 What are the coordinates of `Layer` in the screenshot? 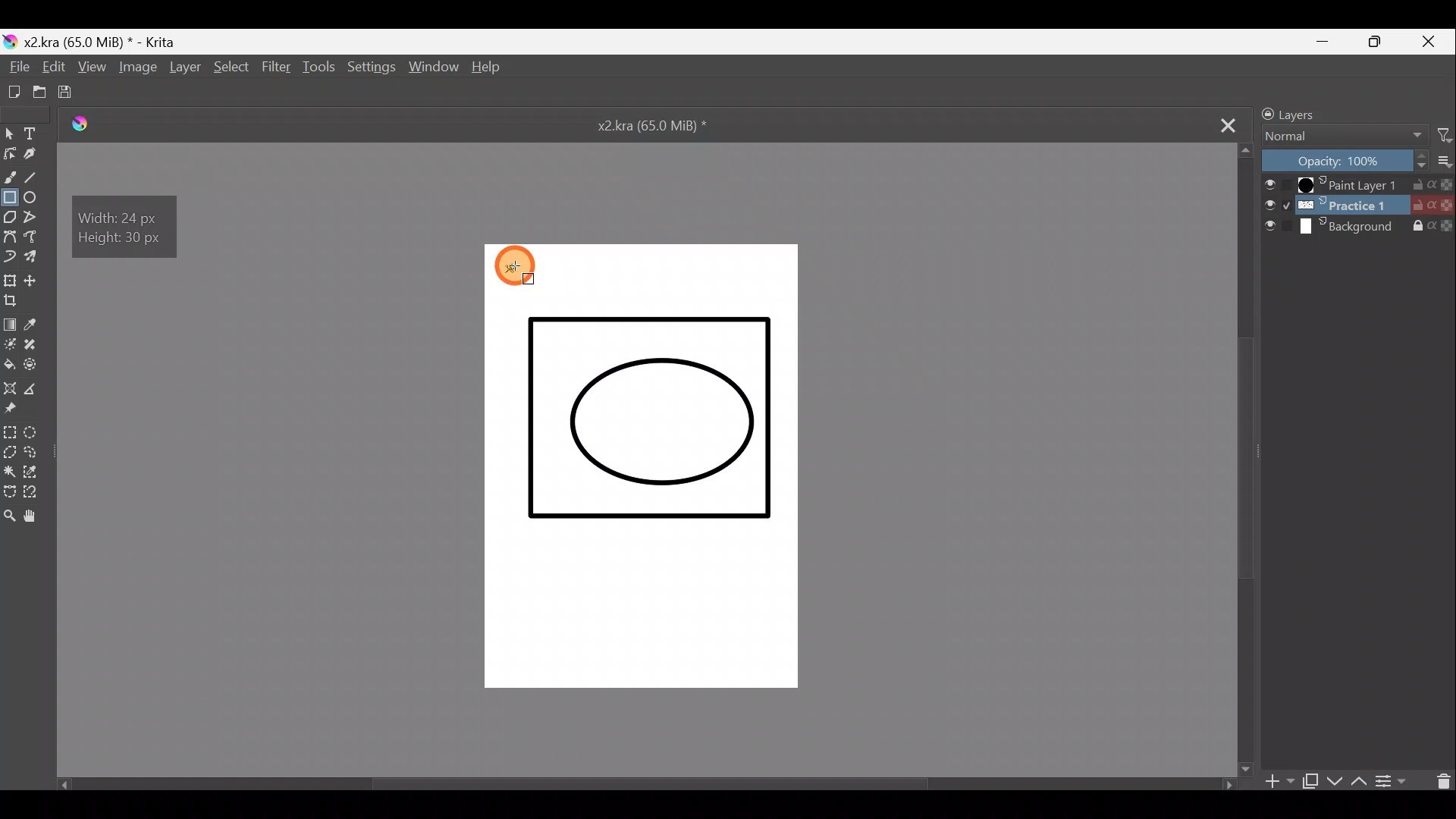 It's located at (184, 70).